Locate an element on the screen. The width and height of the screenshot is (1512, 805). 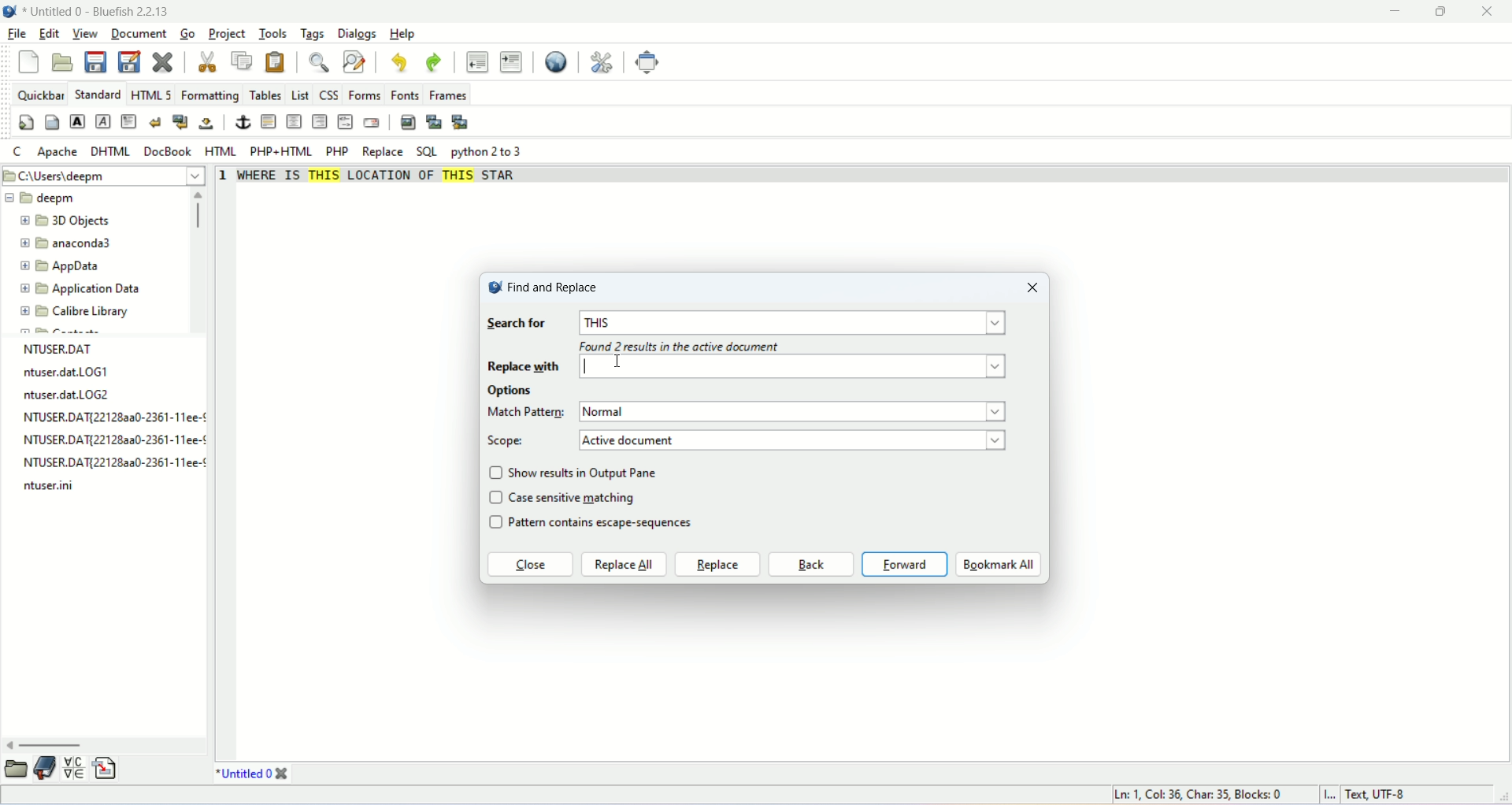
case sensitive matching is located at coordinates (575, 497).